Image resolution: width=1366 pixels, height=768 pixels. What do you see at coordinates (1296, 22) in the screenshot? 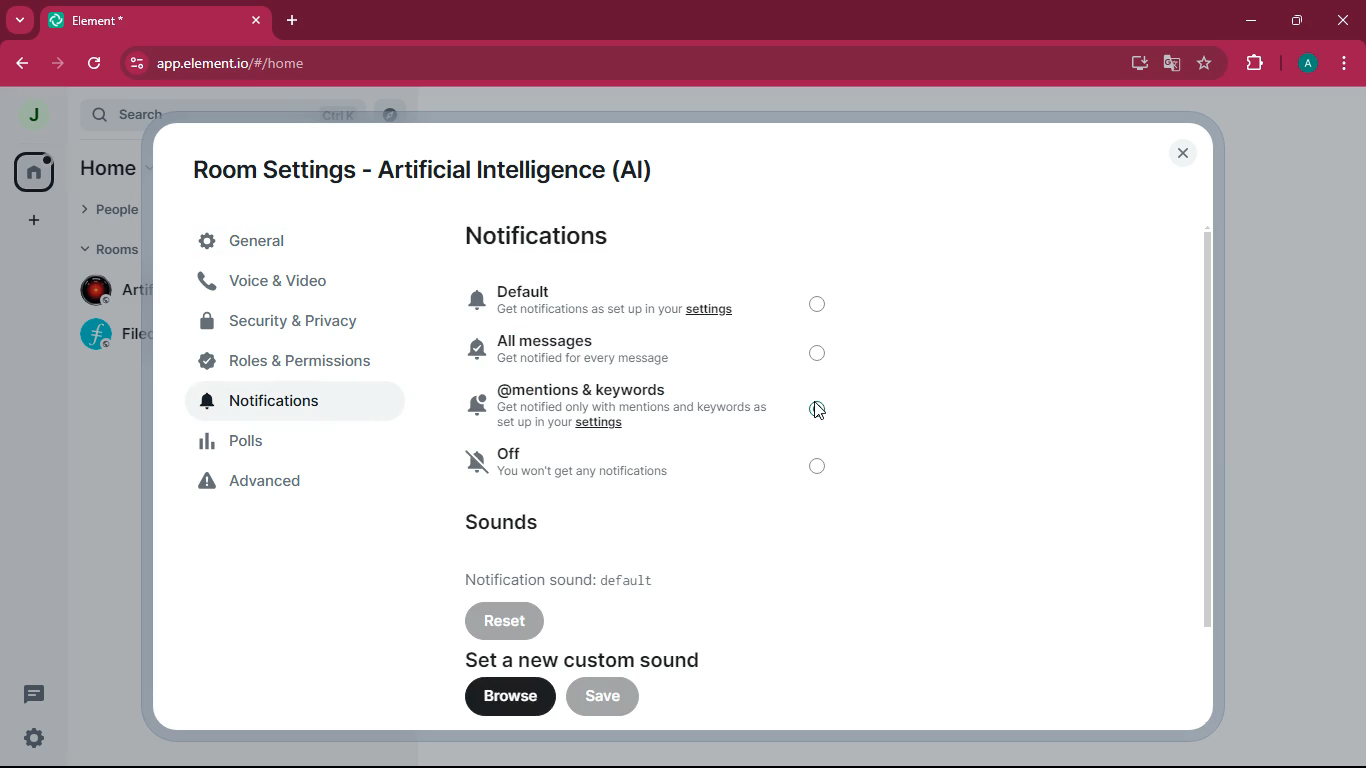
I see `maximize` at bounding box center [1296, 22].